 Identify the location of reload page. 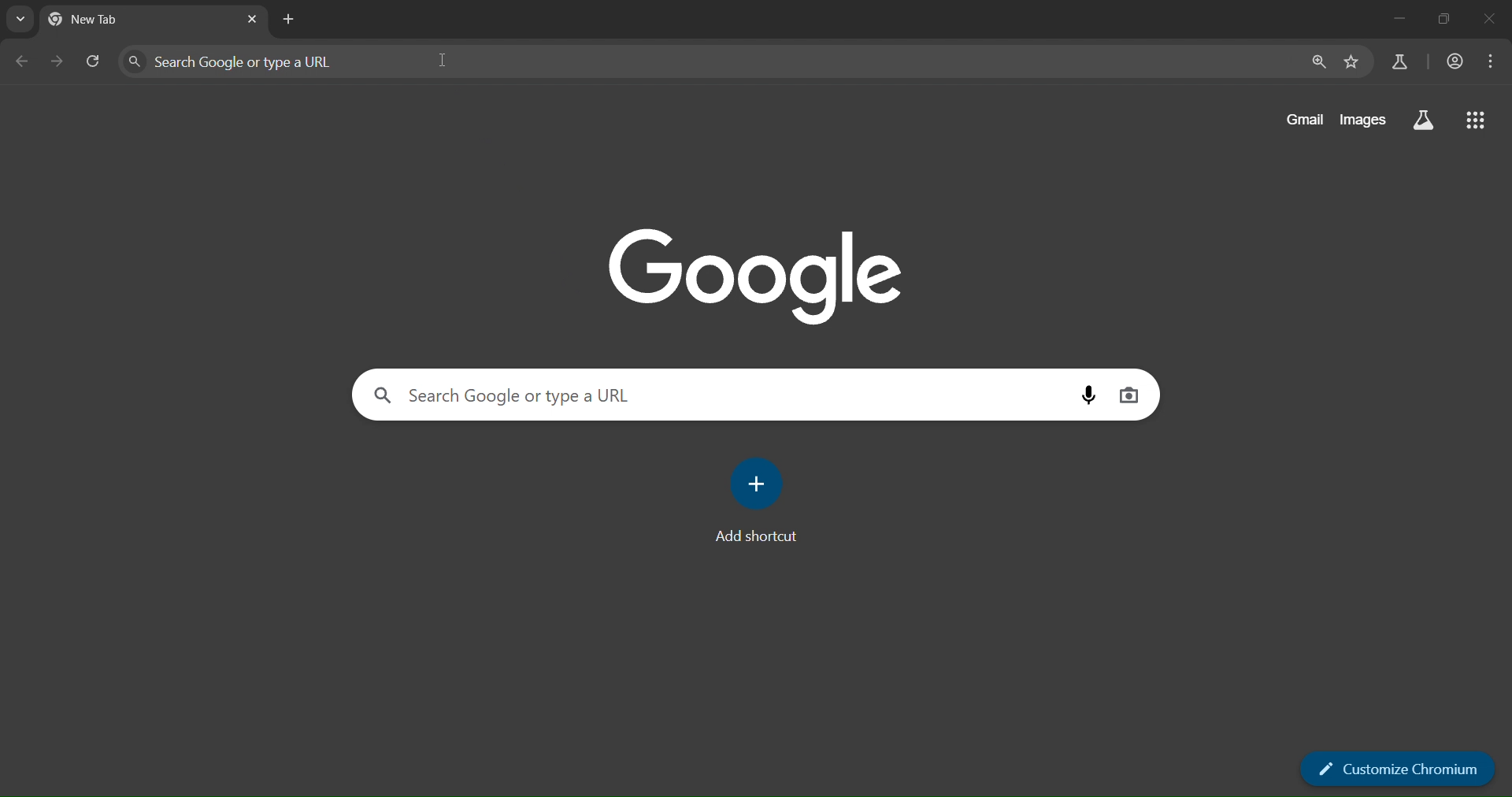
(93, 64).